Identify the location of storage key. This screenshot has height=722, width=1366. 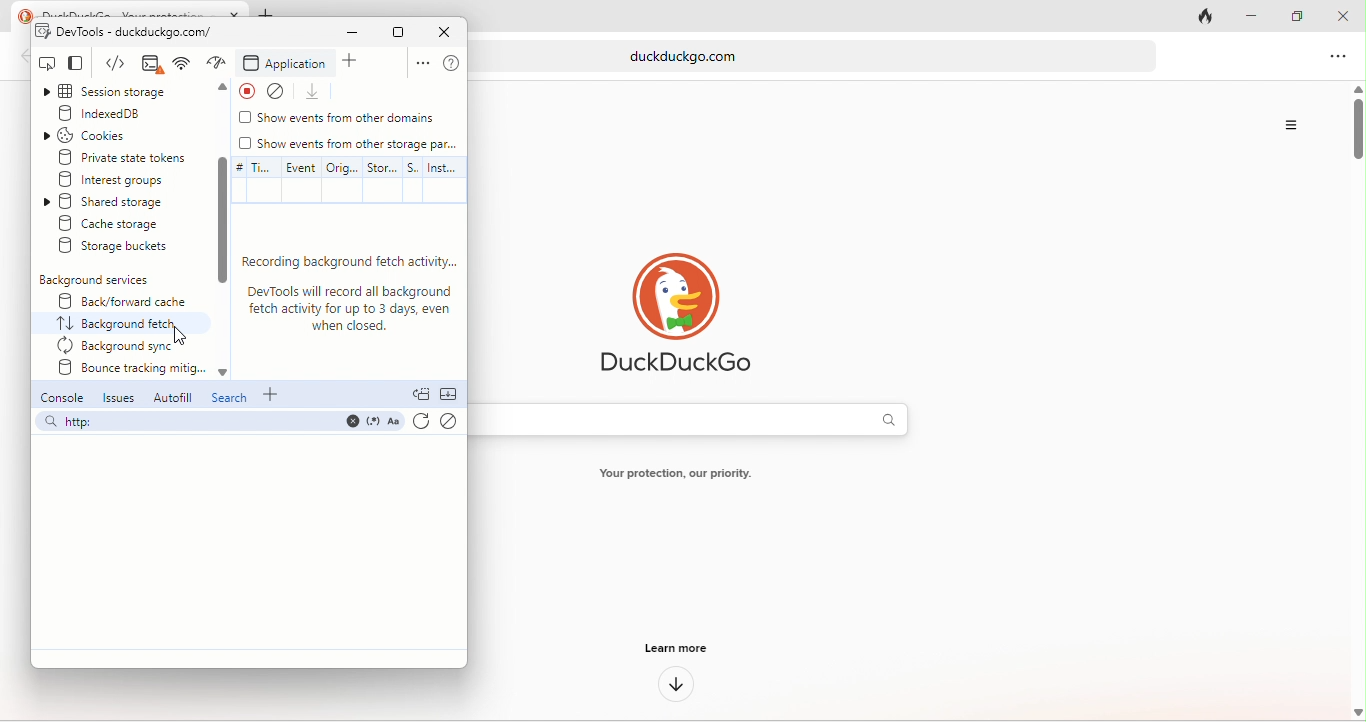
(383, 179).